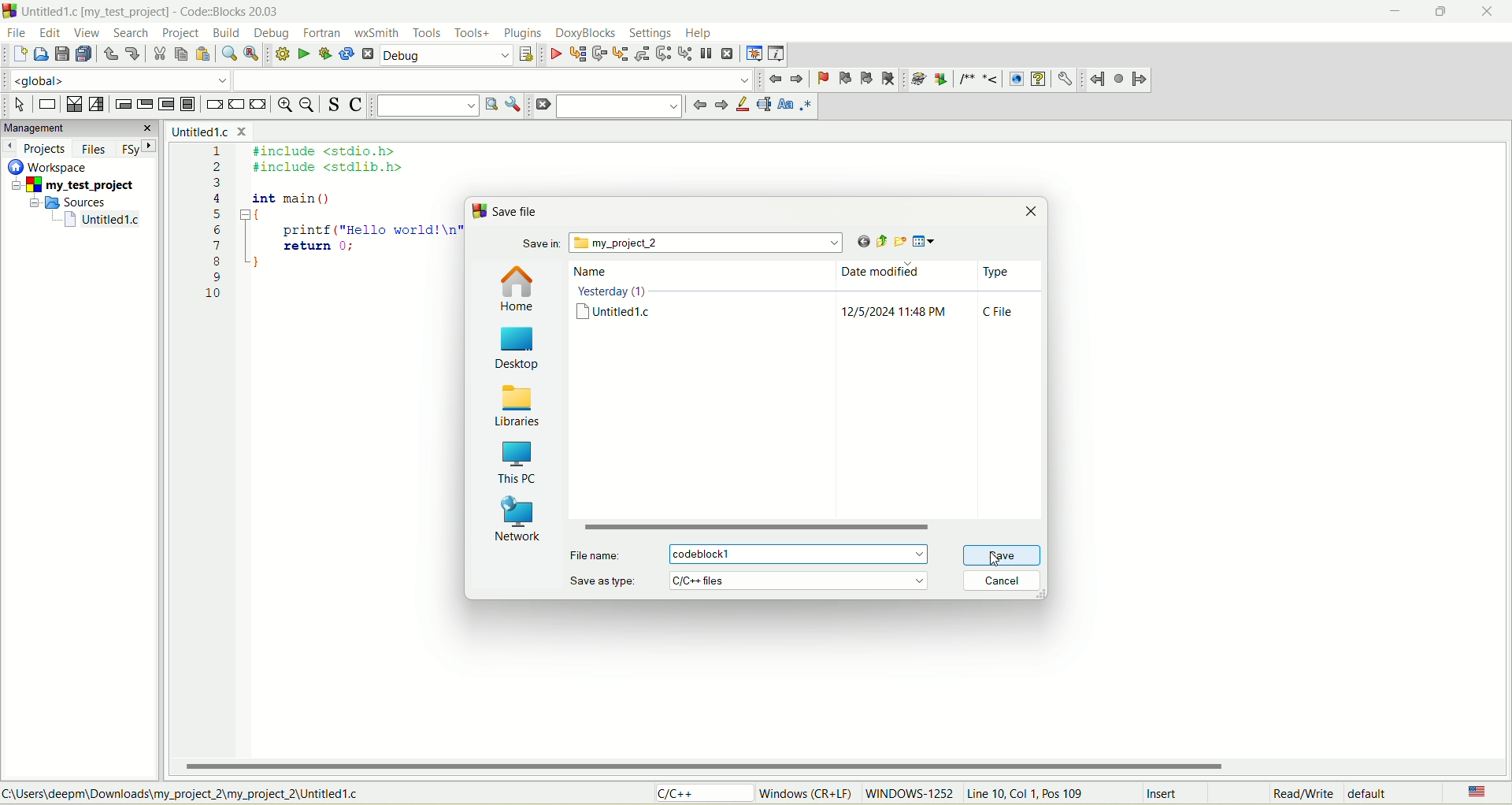 The height and width of the screenshot is (805, 1512). Describe the element at coordinates (513, 212) in the screenshot. I see `save file` at that location.